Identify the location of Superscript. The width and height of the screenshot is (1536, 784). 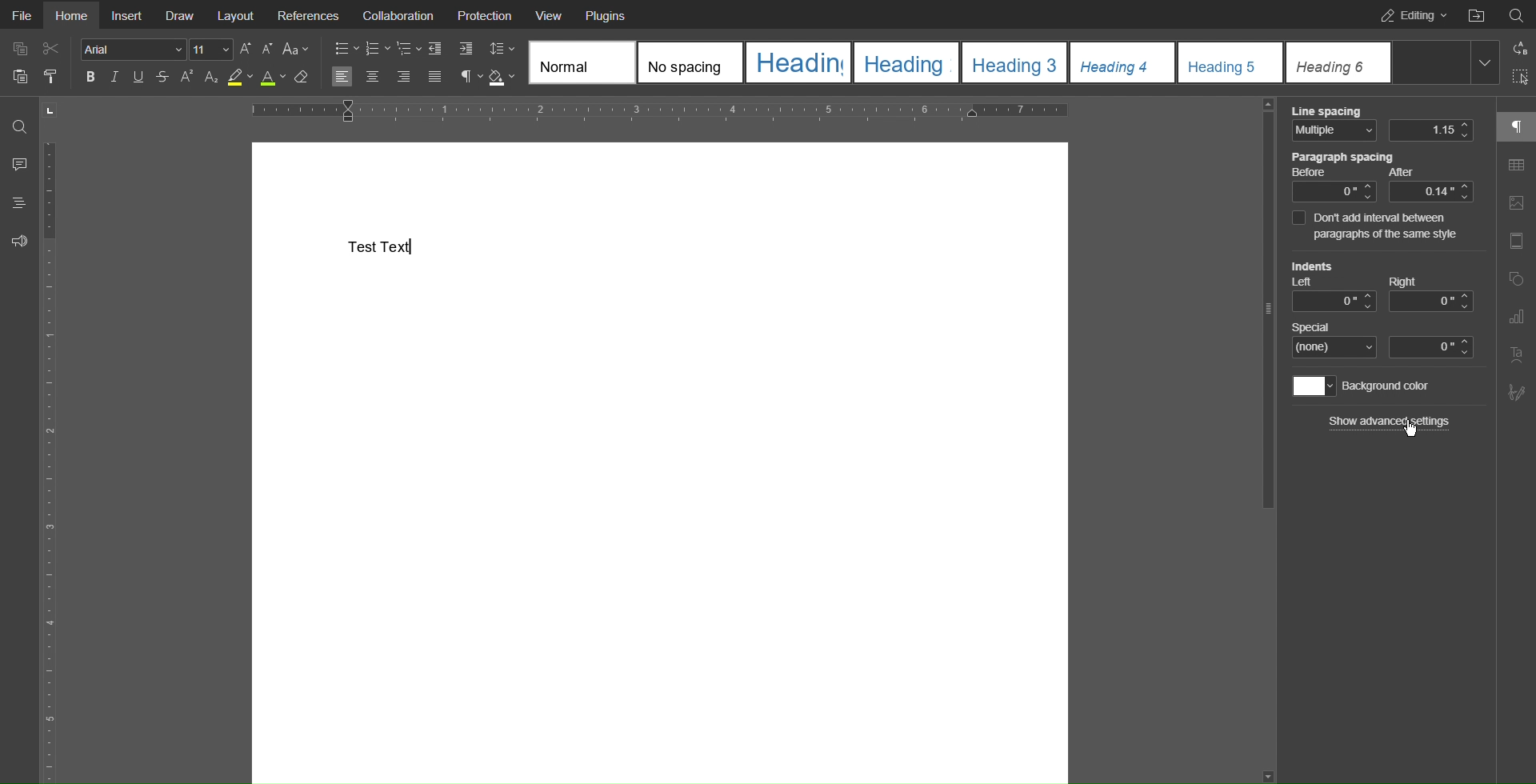
(186, 78).